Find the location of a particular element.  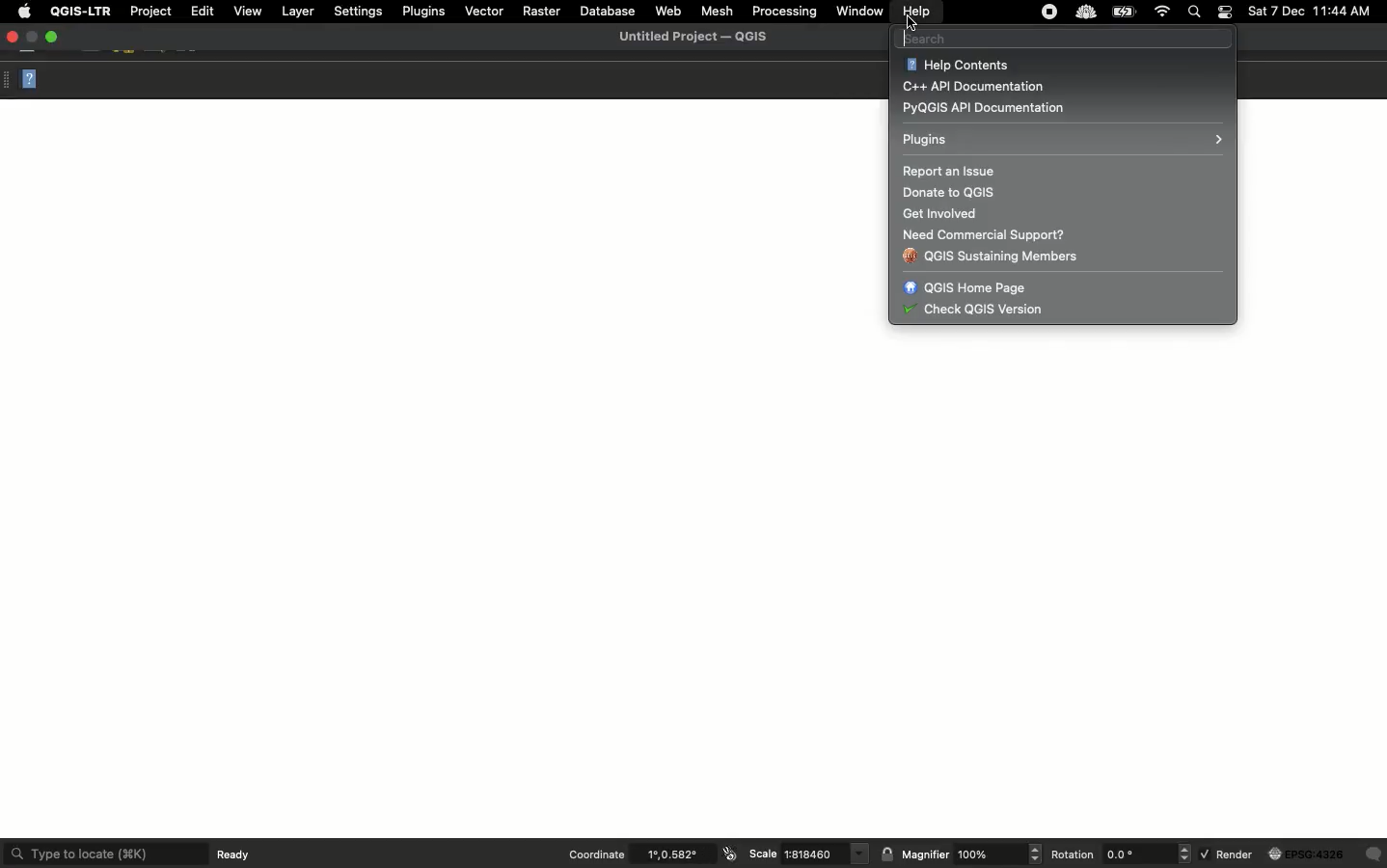

Ready is located at coordinates (239, 854).